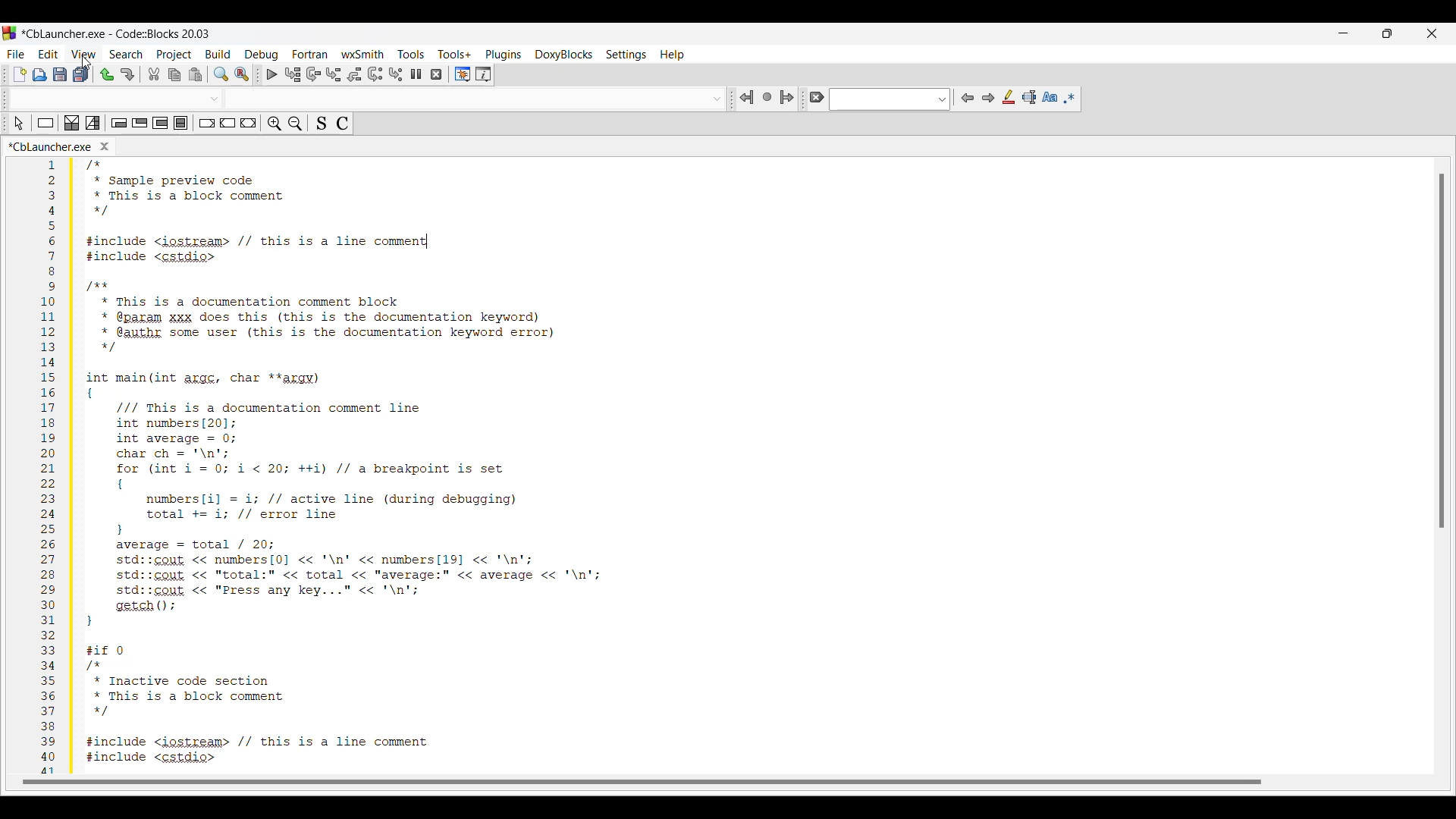  I want to click on Debug menu, so click(262, 55).